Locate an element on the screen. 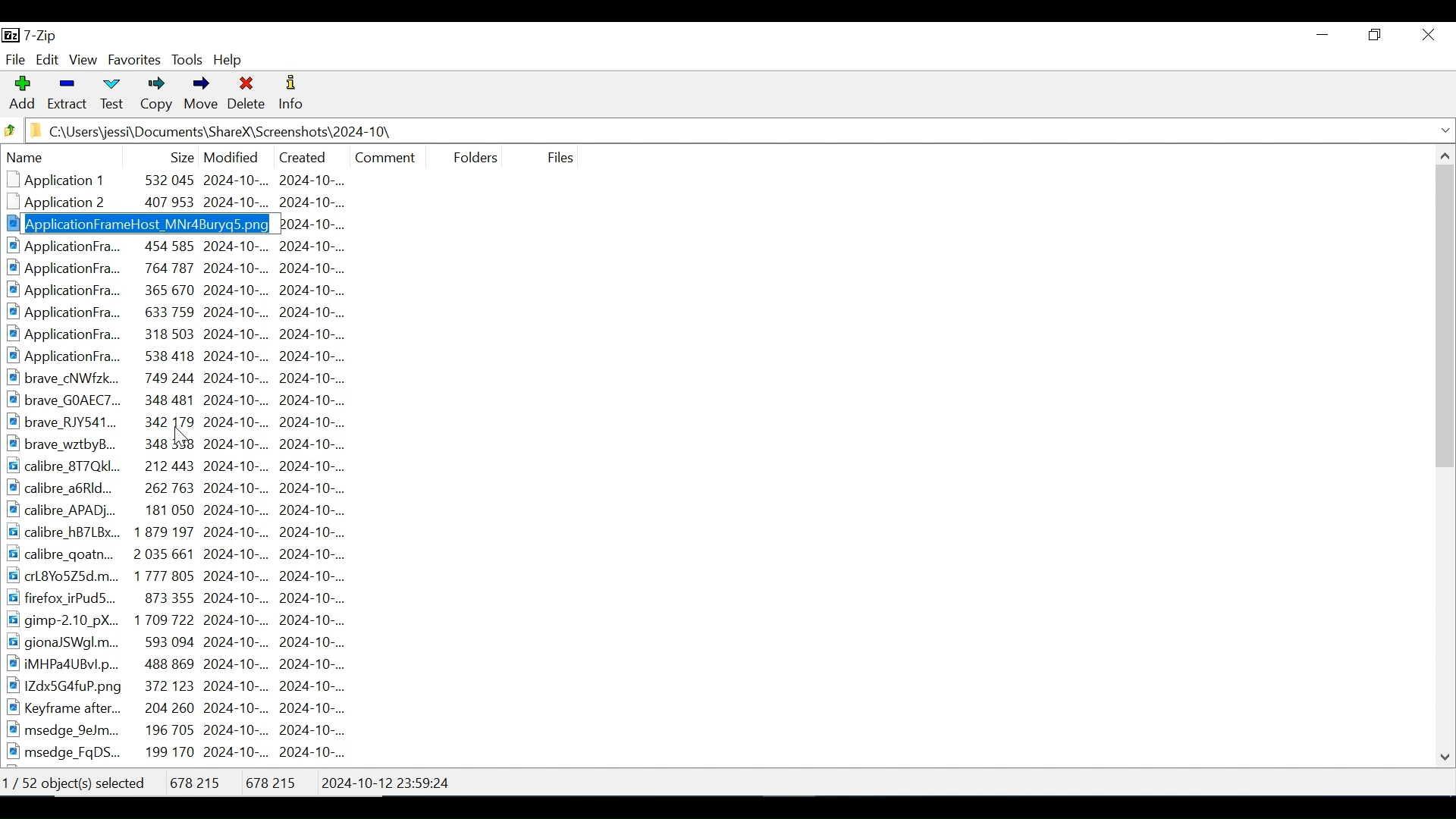 This screenshot has width=1456, height=819.  calibre_a6RId... 262 763 2024-10-.. 2024-10-... is located at coordinates (191, 488).